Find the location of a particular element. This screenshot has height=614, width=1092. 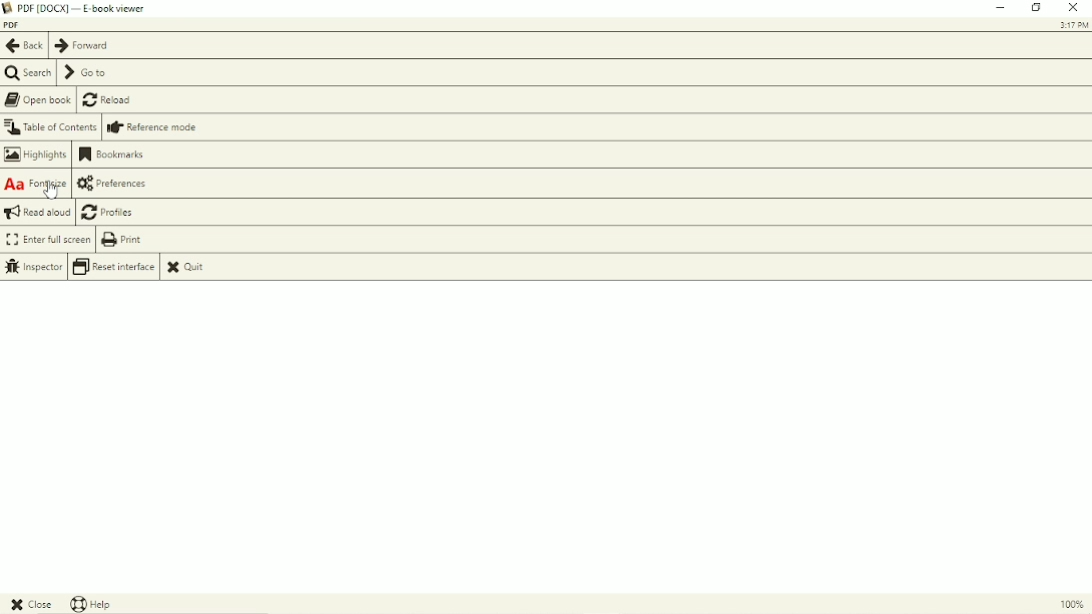

Inspector is located at coordinates (33, 267).